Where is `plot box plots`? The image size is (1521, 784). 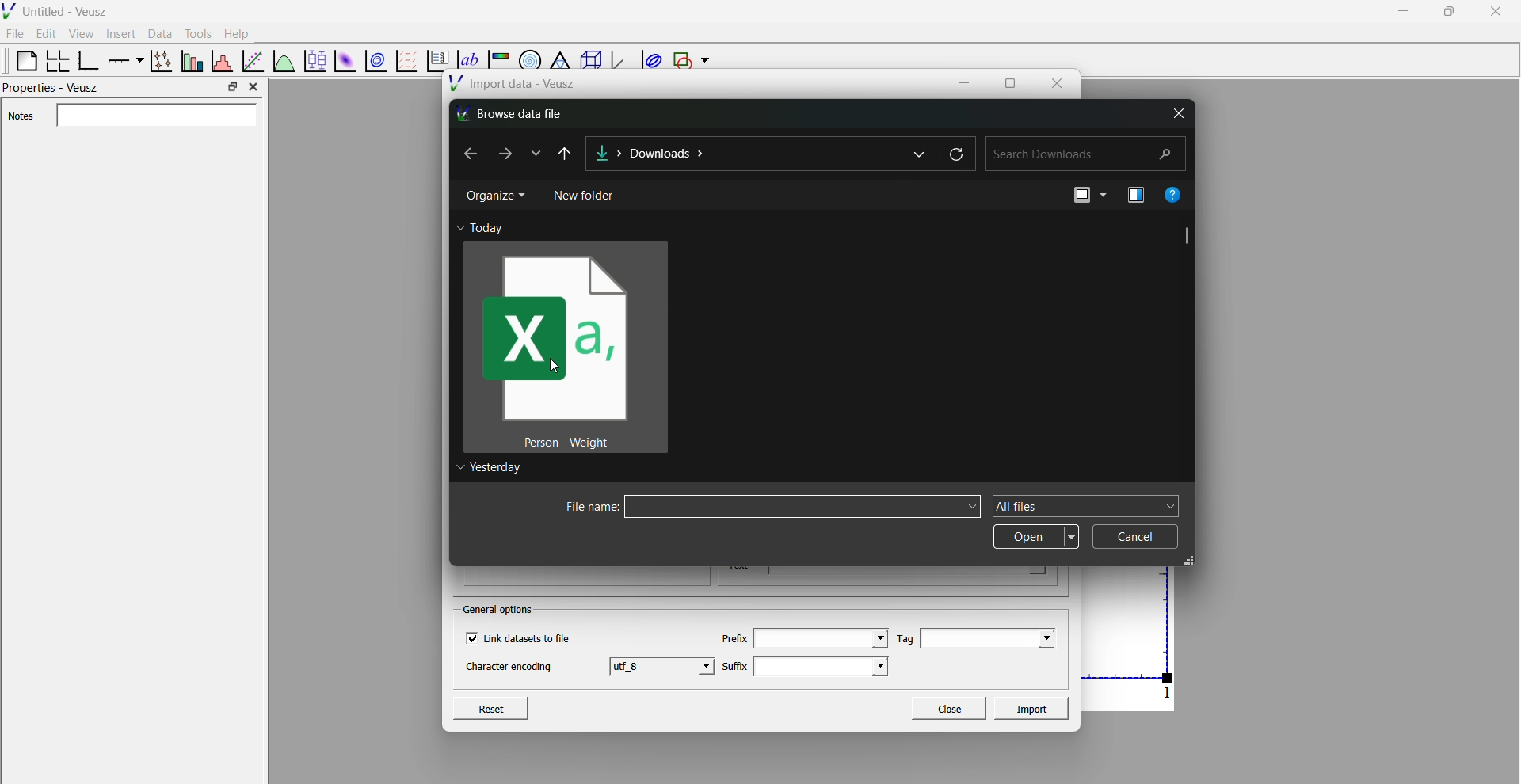 plot box plots is located at coordinates (314, 61).